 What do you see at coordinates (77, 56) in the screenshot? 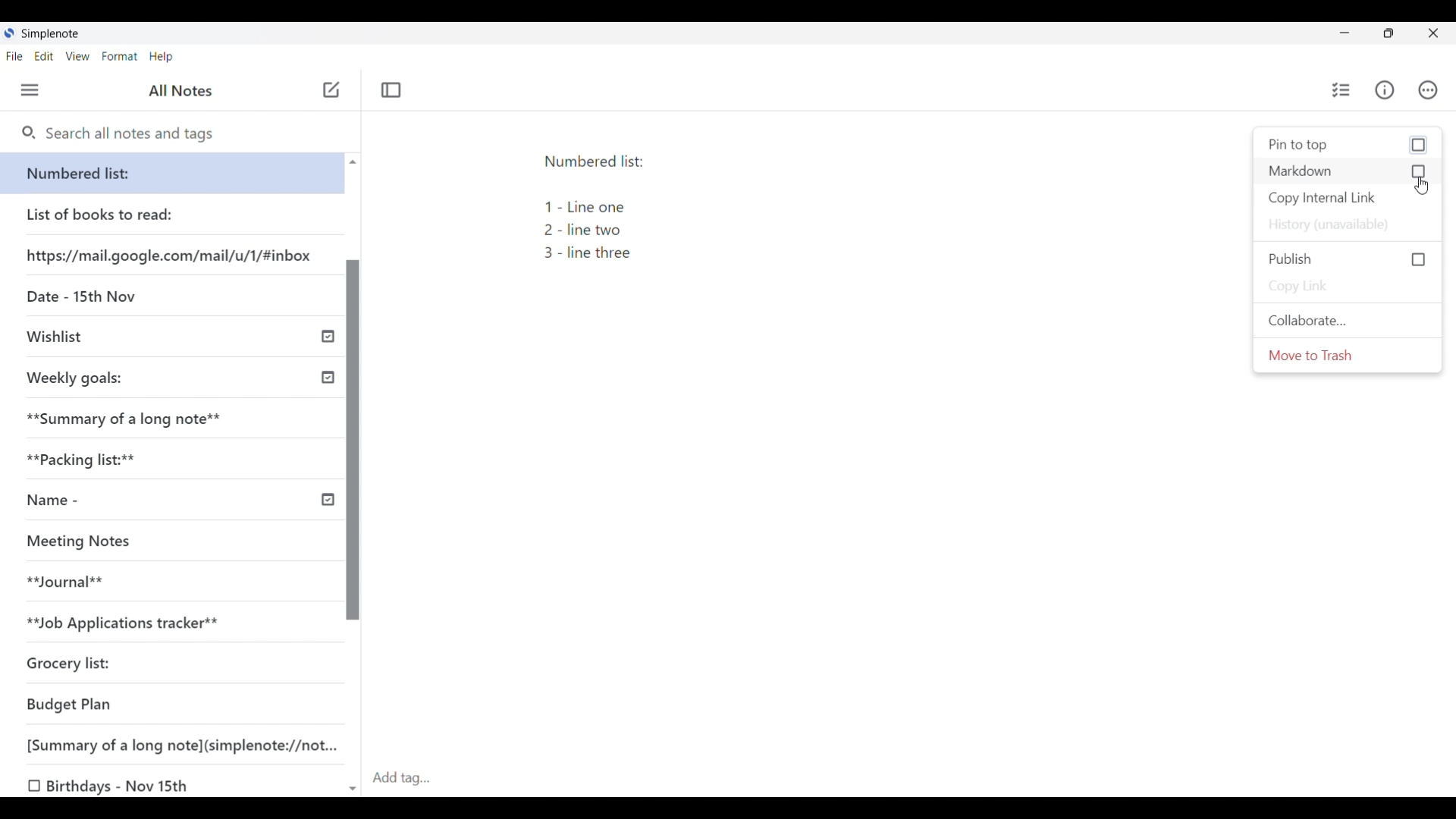
I see `View menu` at bounding box center [77, 56].